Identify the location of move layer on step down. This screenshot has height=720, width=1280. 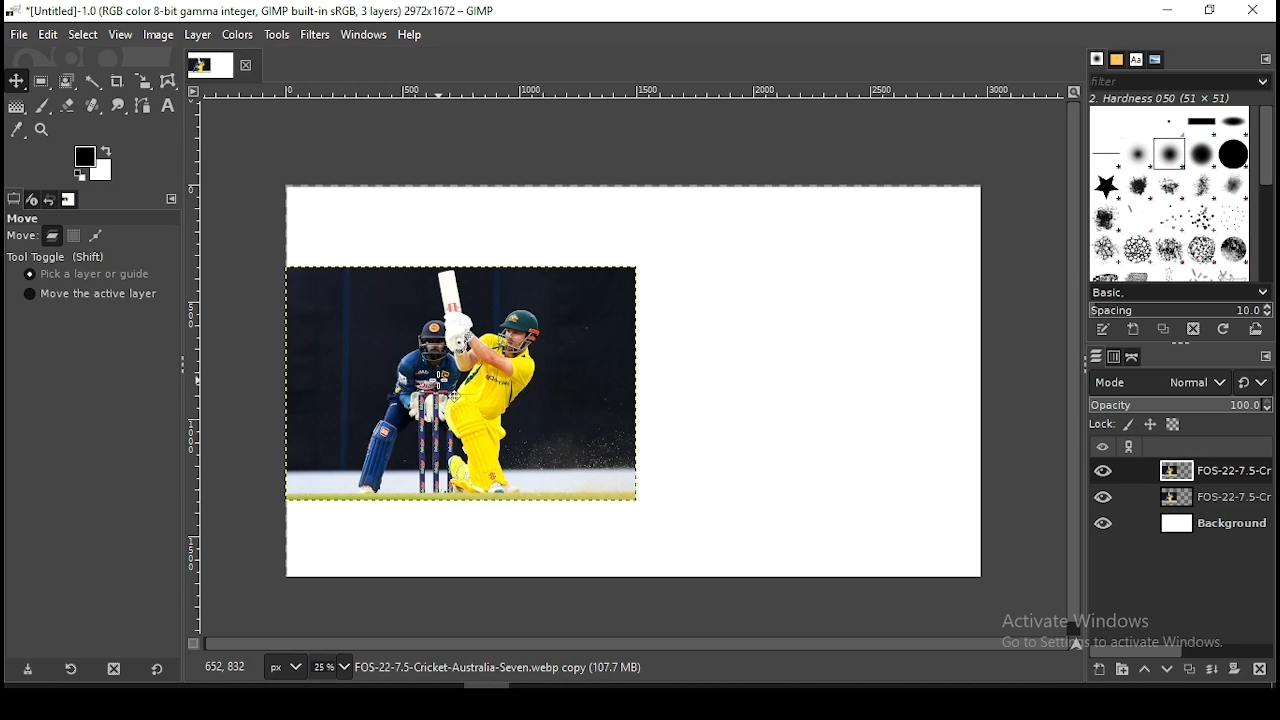
(1168, 672).